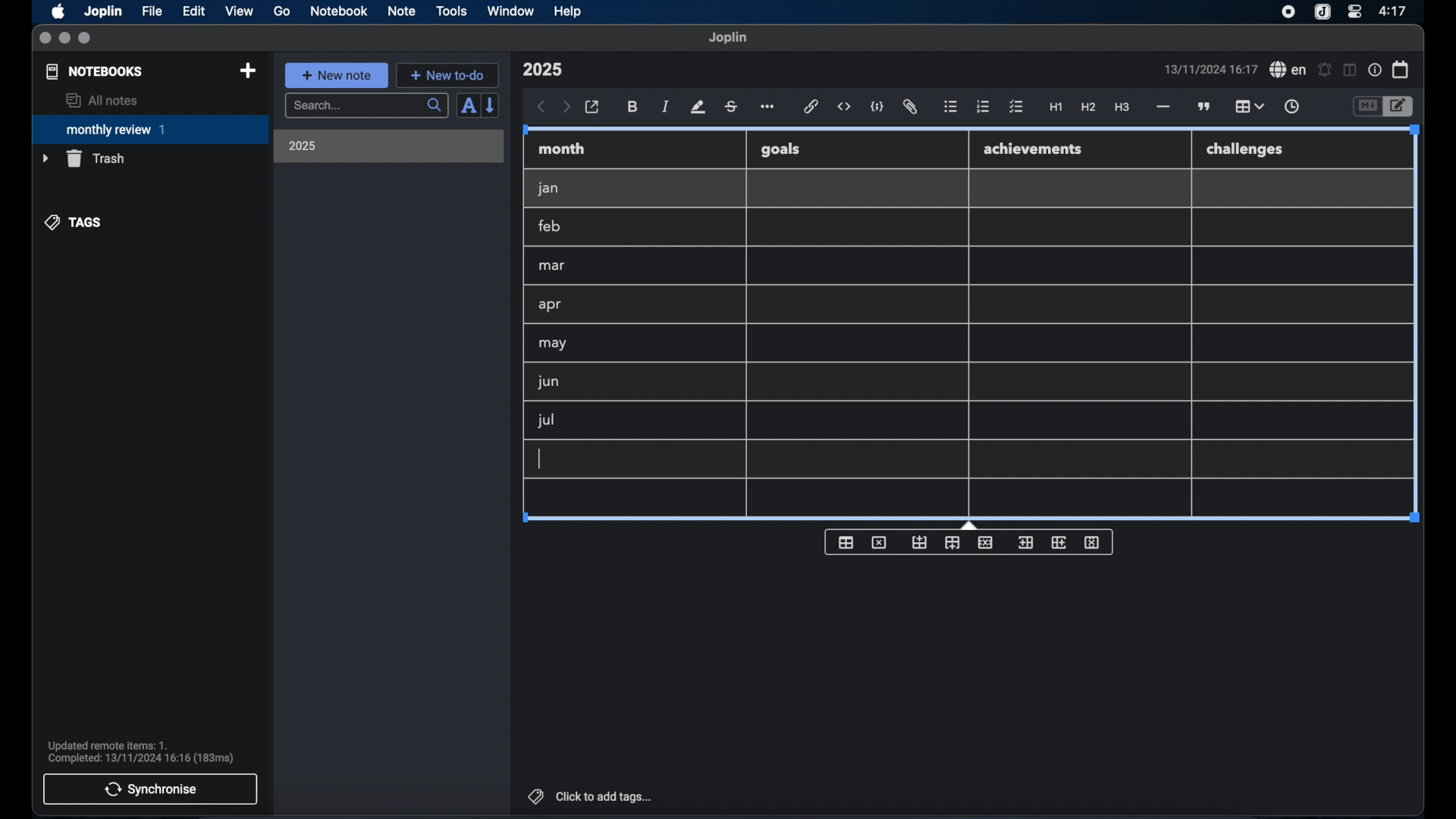 The height and width of the screenshot is (819, 1456). What do you see at coordinates (987, 541) in the screenshot?
I see `delete row` at bounding box center [987, 541].